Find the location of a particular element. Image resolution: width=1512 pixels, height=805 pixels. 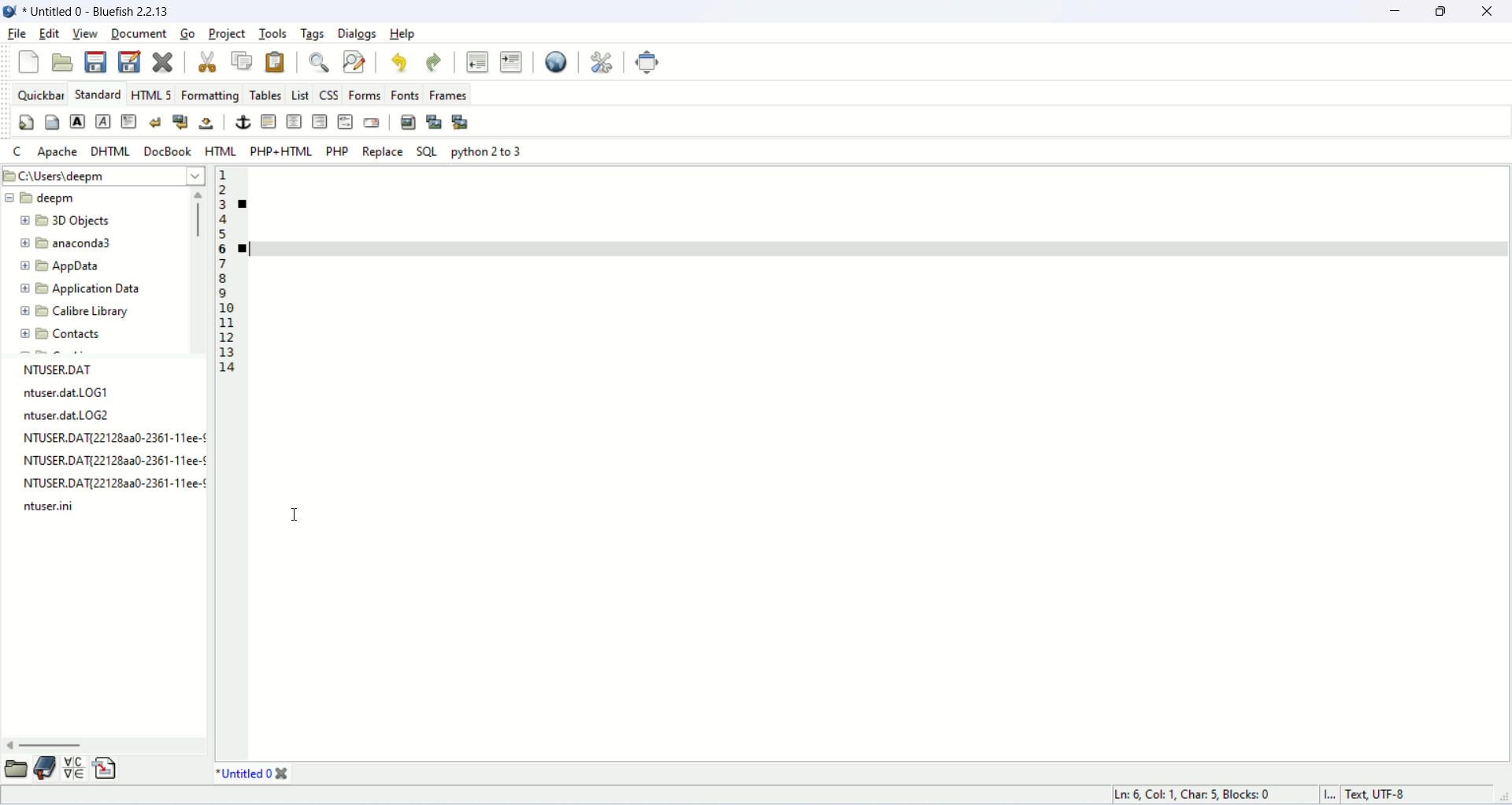

folder name is located at coordinates (89, 290).